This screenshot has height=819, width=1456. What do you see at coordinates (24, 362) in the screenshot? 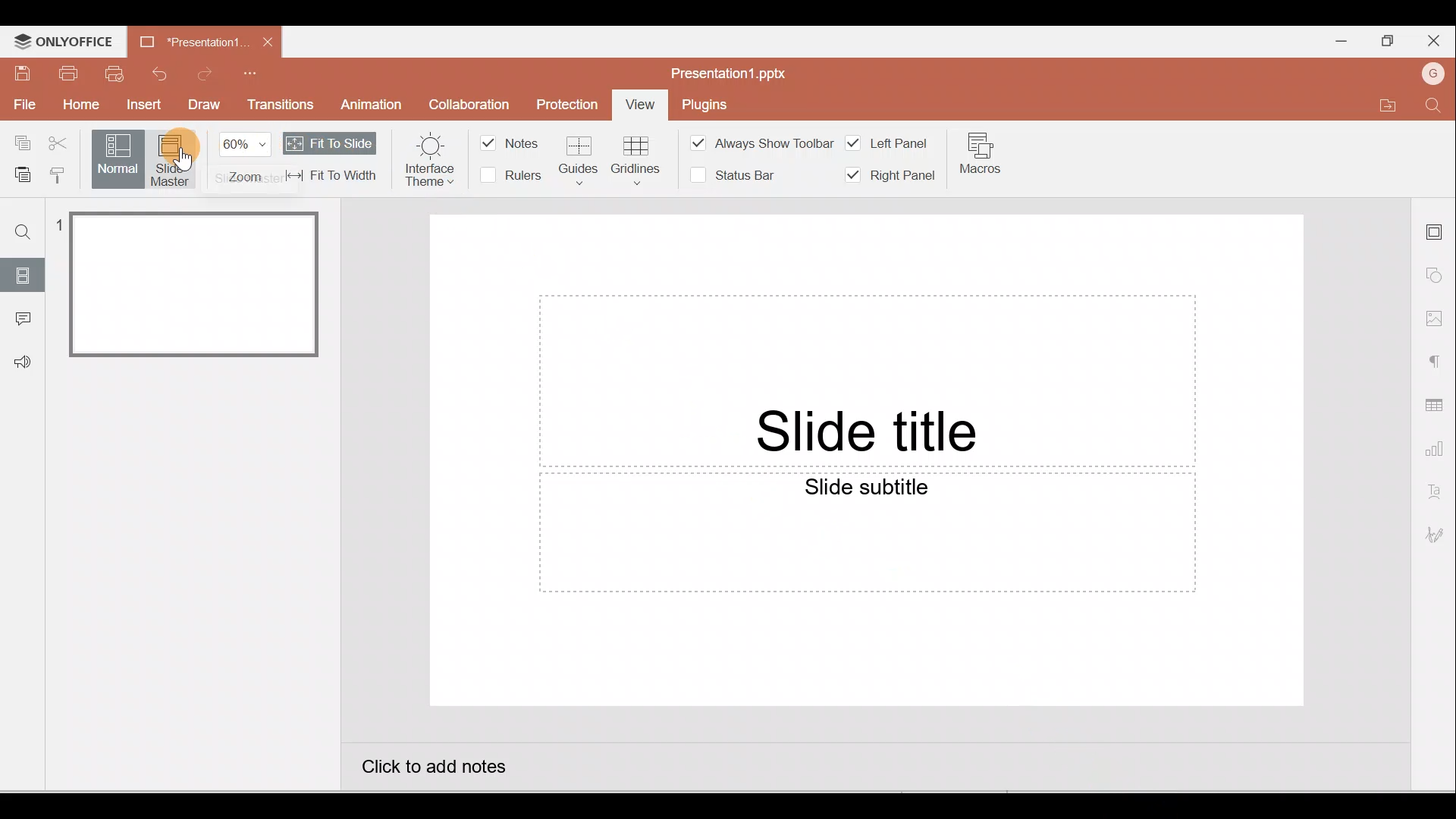
I see `Feedback & support` at bounding box center [24, 362].